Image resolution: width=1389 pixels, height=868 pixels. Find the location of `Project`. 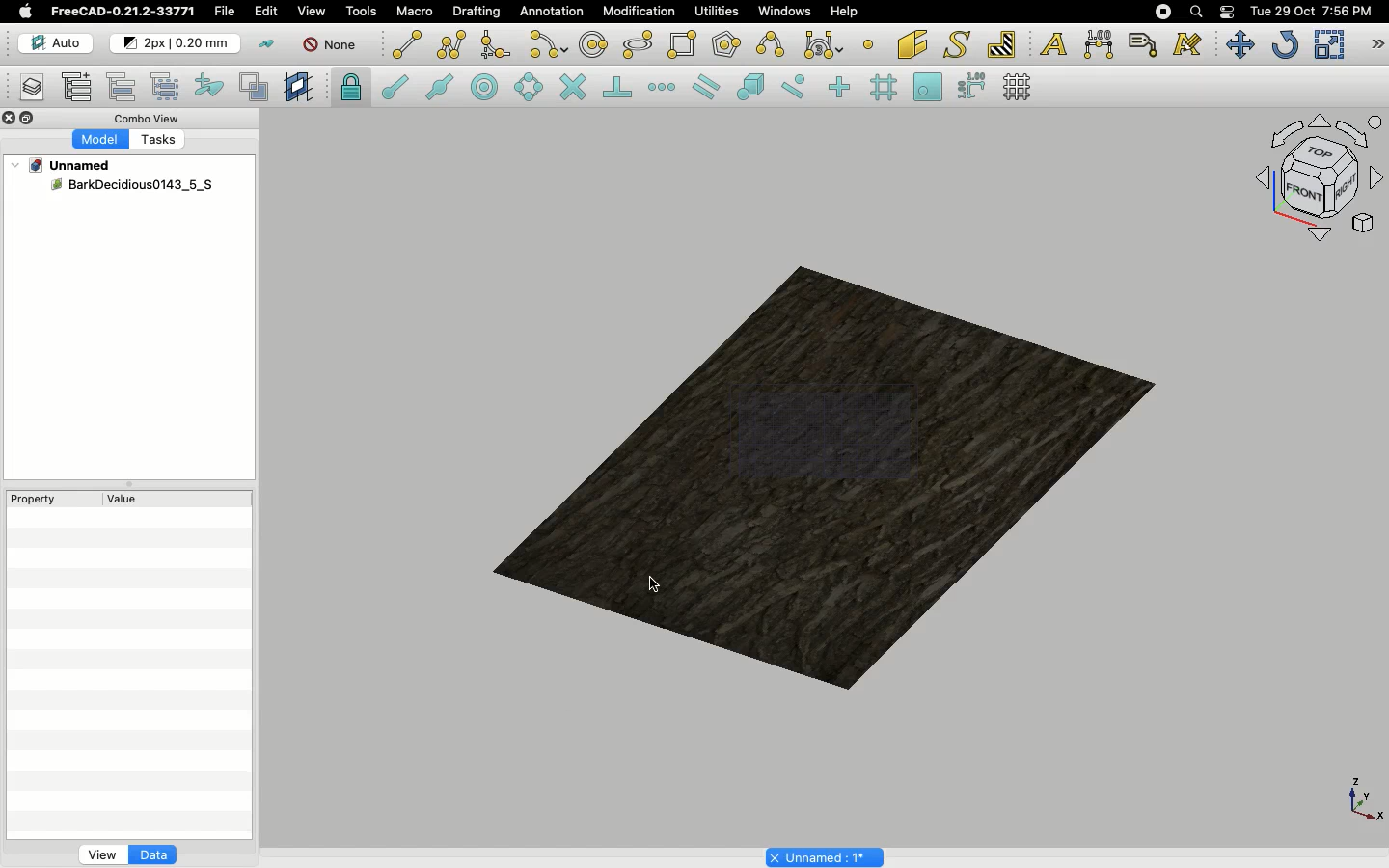

Project is located at coordinates (71, 165).